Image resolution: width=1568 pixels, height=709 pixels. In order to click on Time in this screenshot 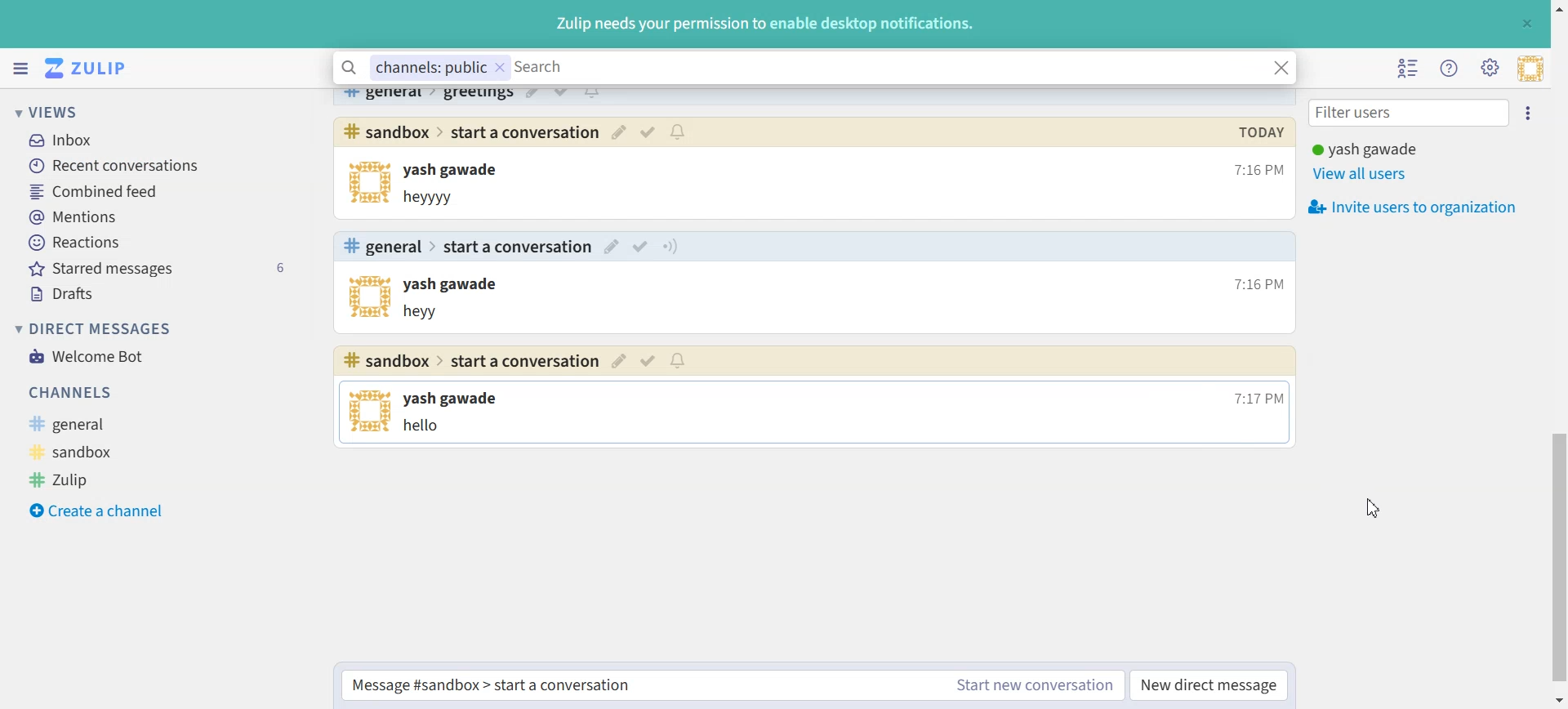, I will do `click(1253, 283)`.